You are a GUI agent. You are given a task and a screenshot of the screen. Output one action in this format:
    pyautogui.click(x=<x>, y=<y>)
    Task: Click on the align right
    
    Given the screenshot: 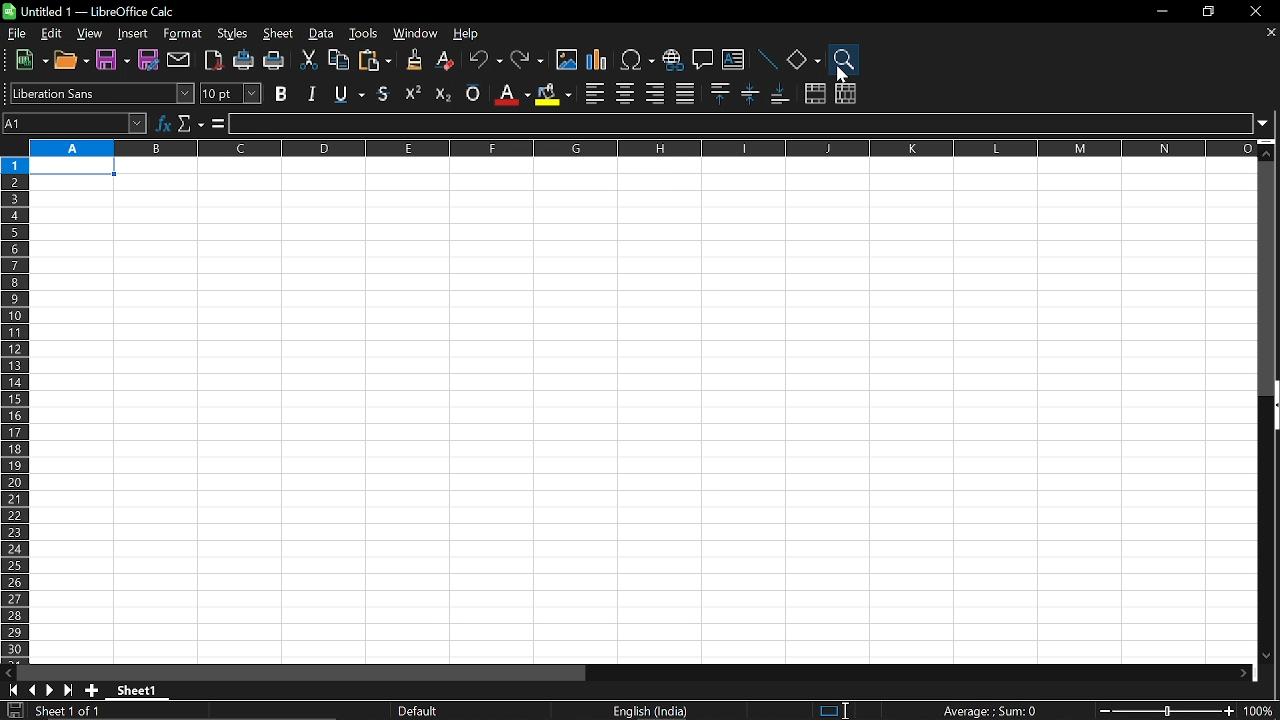 What is the action you would take?
    pyautogui.click(x=655, y=93)
    